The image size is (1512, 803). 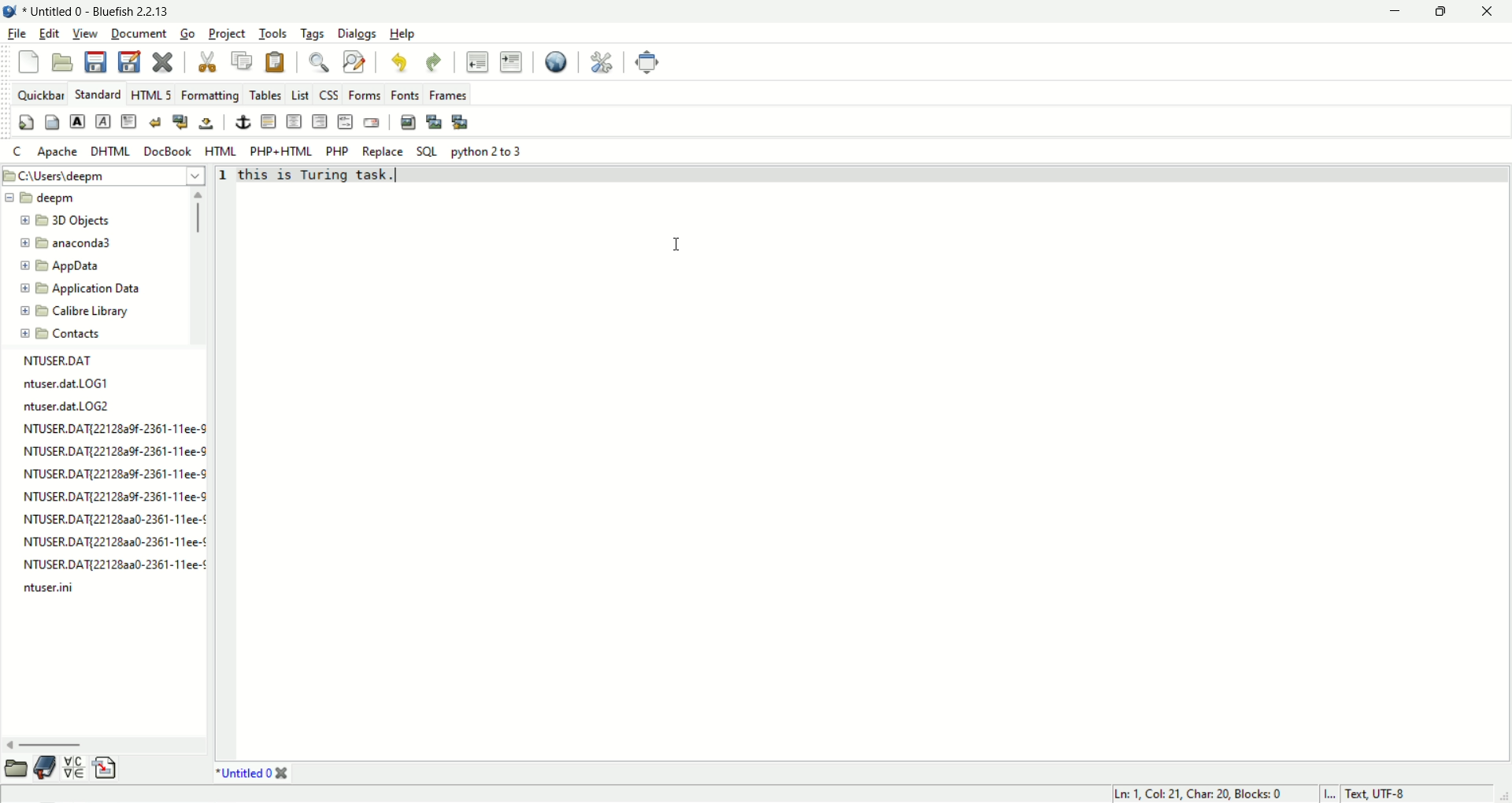 What do you see at coordinates (243, 775) in the screenshot?
I see `document name` at bounding box center [243, 775].